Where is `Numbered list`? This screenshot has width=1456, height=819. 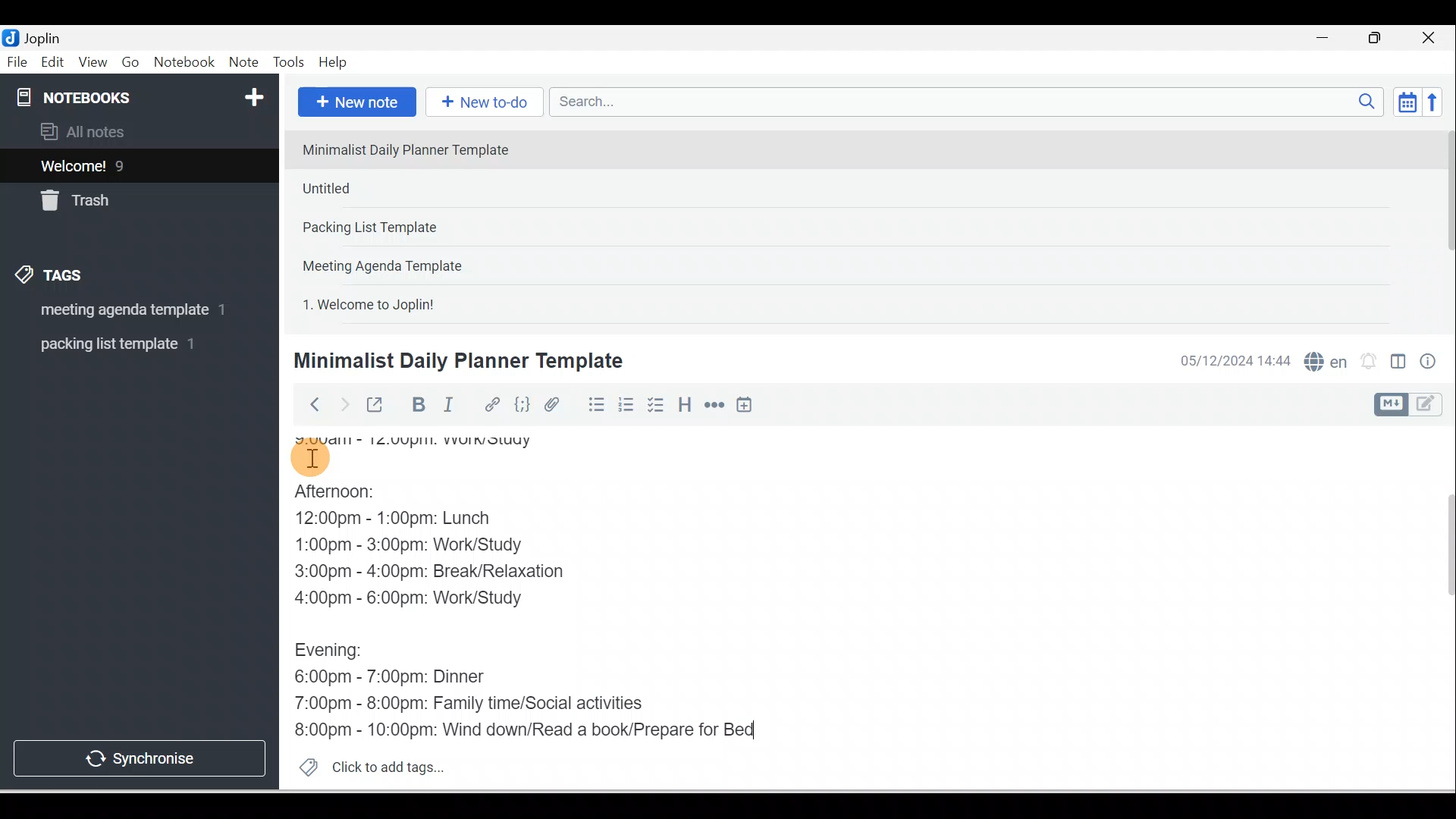
Numbered list is located at coordinates (626, 404).